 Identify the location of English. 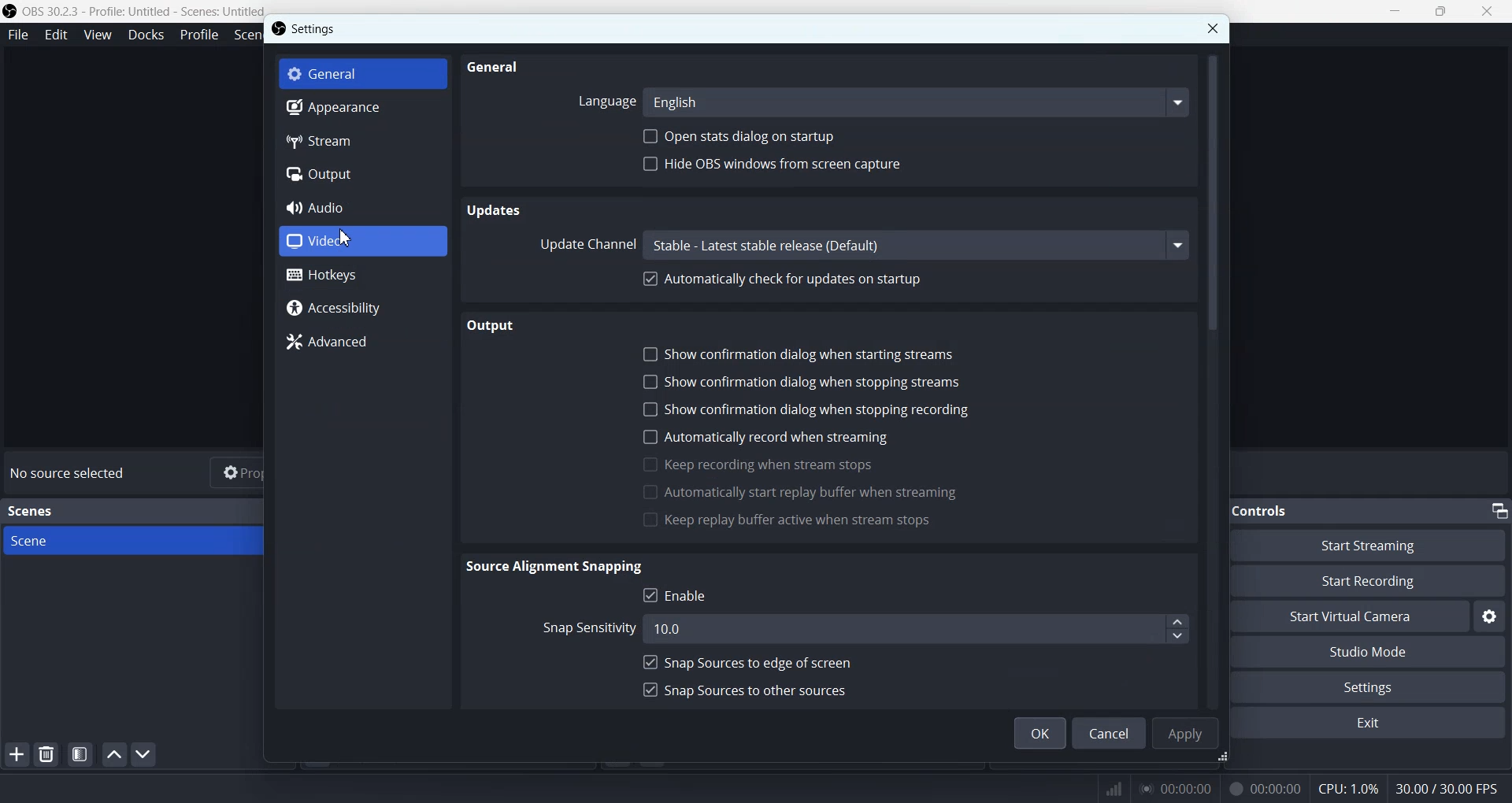
(915, 102).